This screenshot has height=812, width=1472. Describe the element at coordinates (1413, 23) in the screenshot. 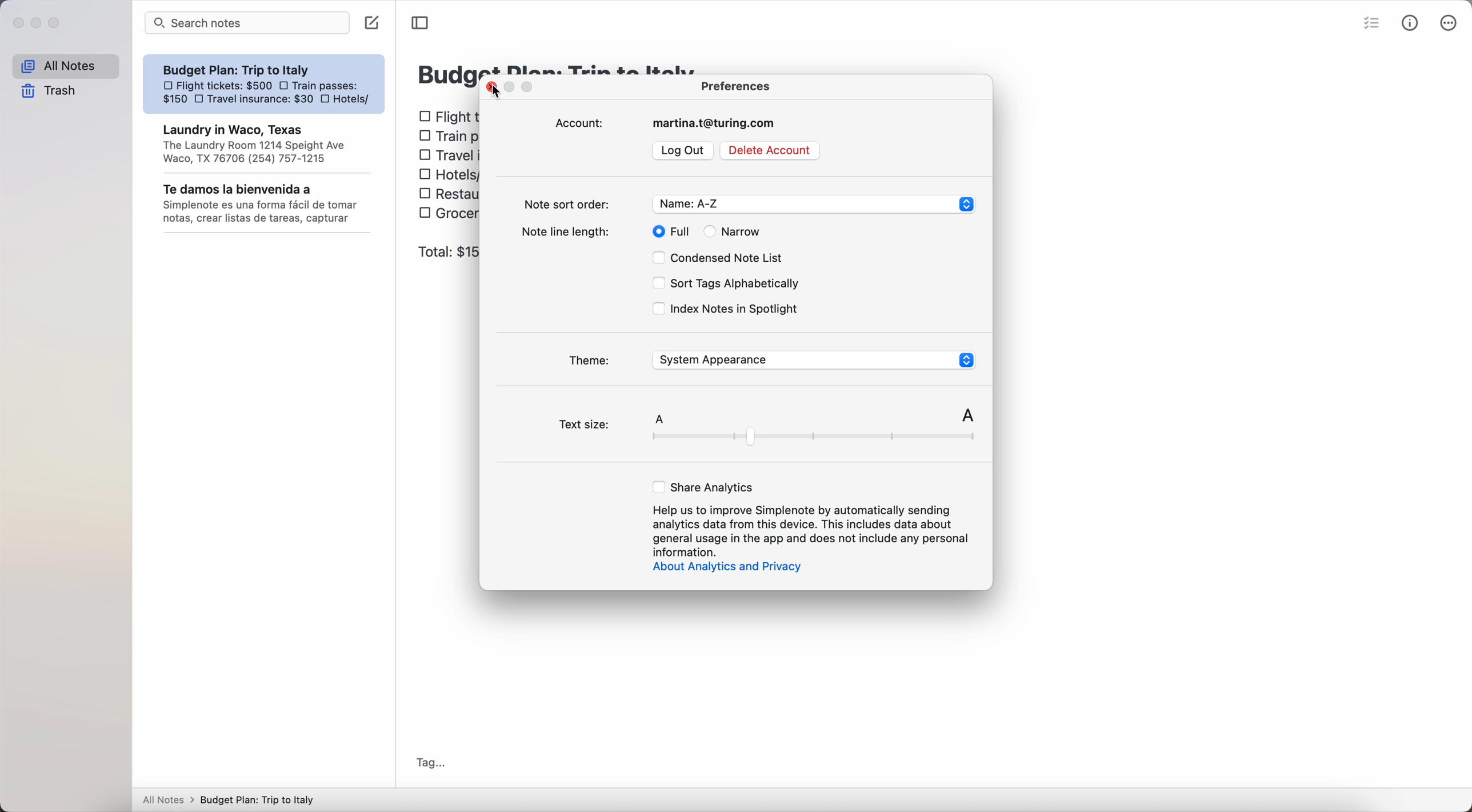

I see `metrics` at that location.